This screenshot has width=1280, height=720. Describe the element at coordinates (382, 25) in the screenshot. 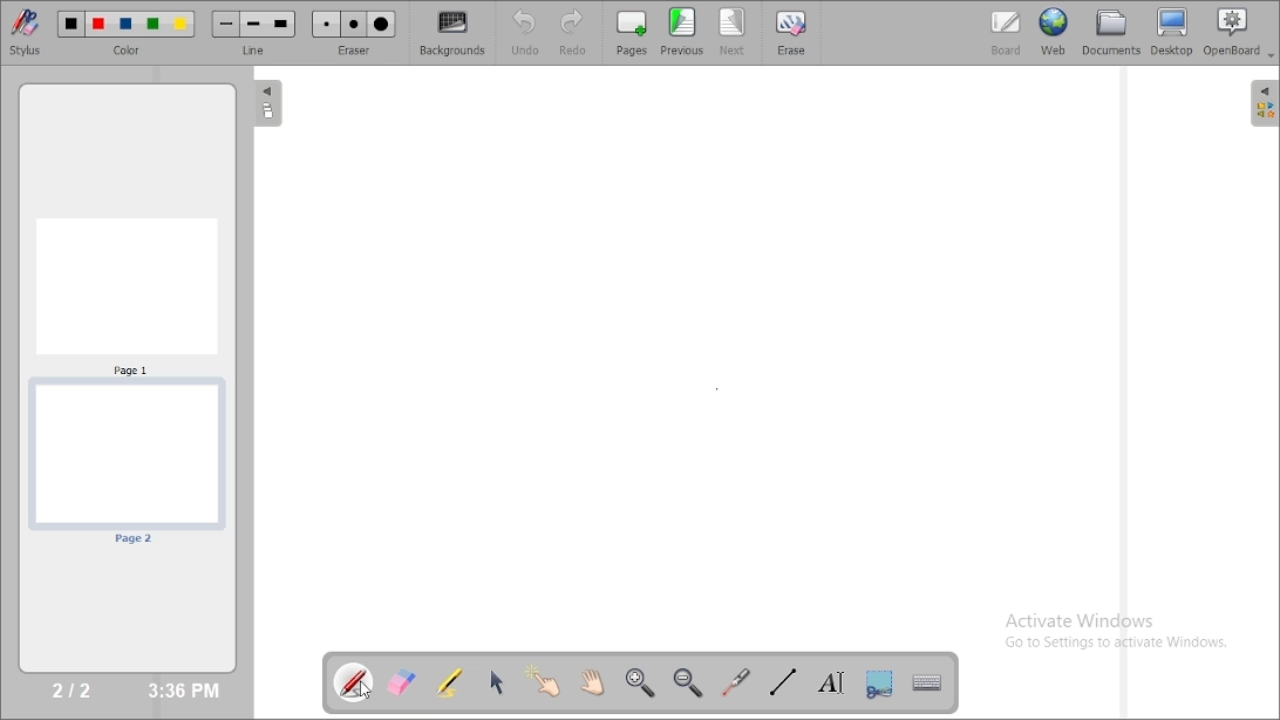

I see `Large eraser` at that location.